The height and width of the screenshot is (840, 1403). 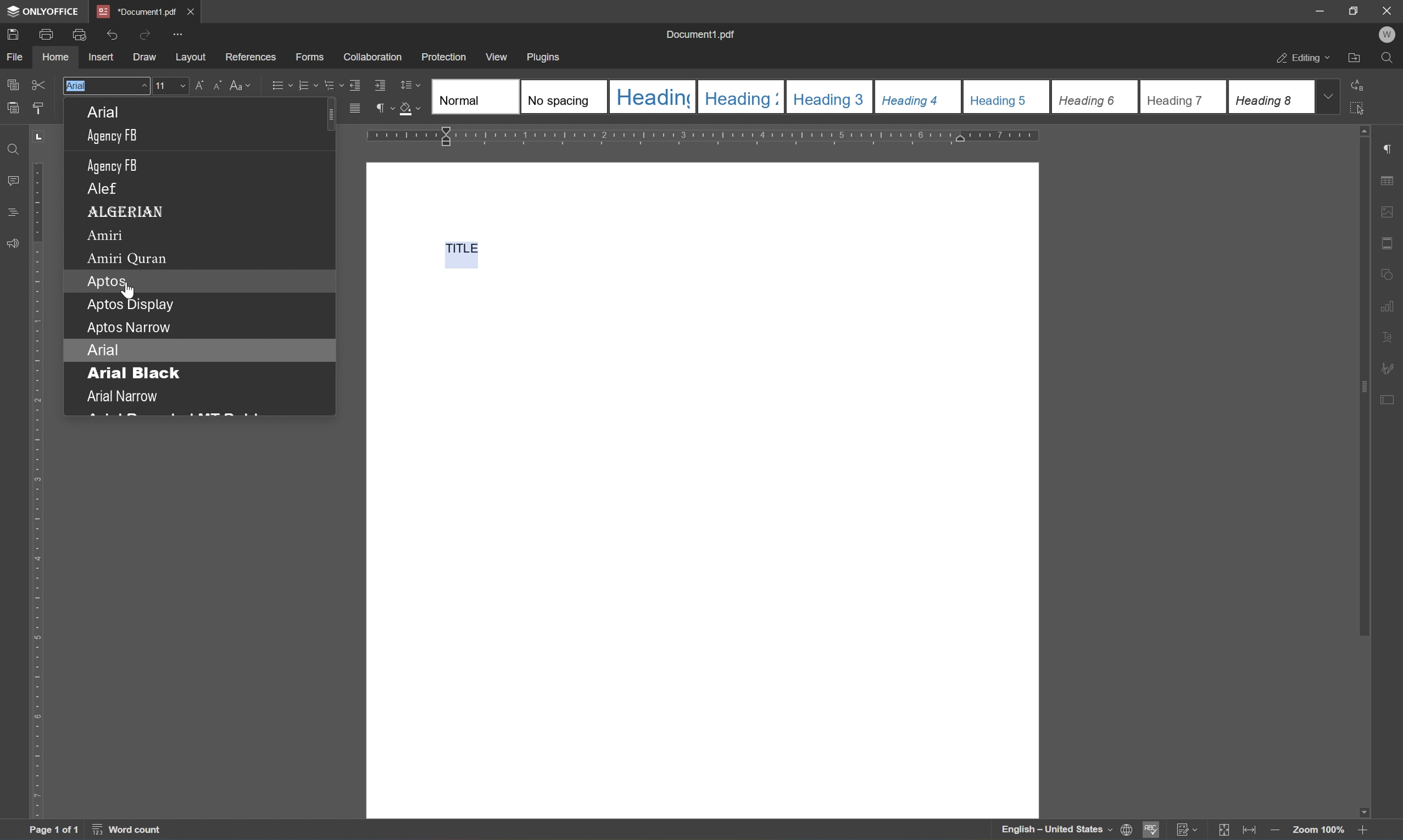 I want to click on fit to slide, so click(x=1225, y=831).